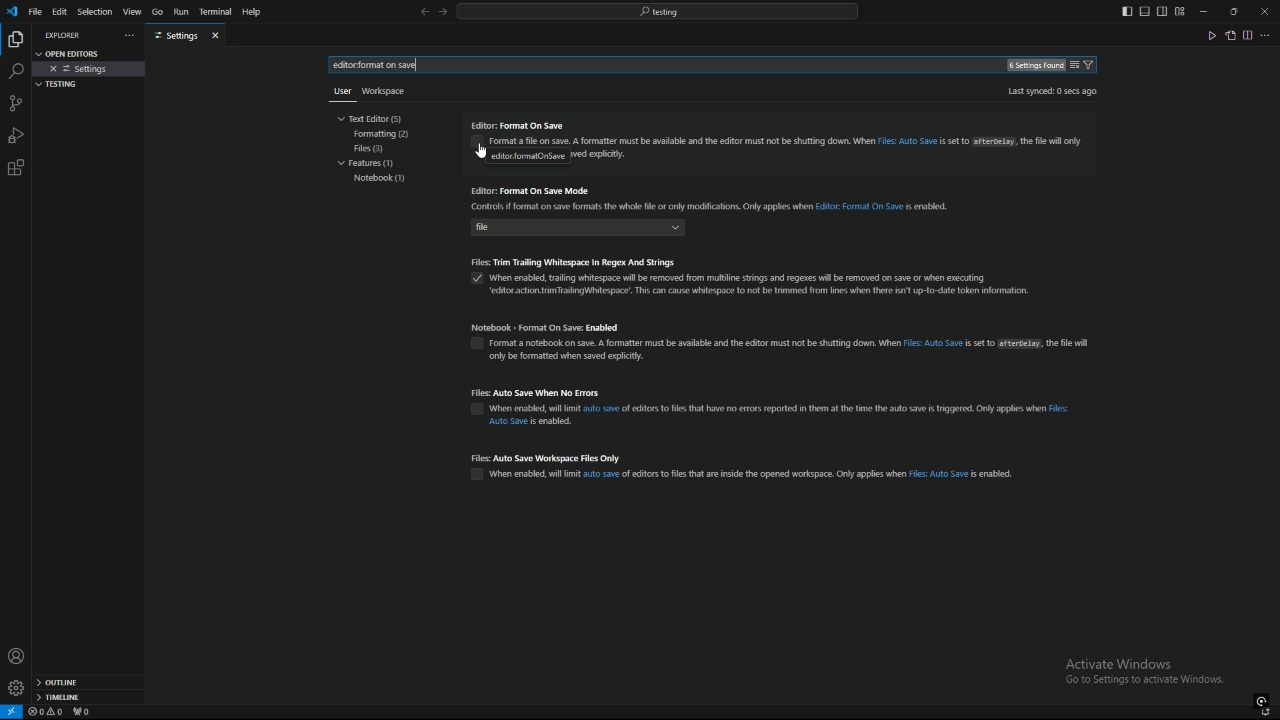 The height and width of the screenshot is (720, 1280). I want to click on outline, so click(88, 683).